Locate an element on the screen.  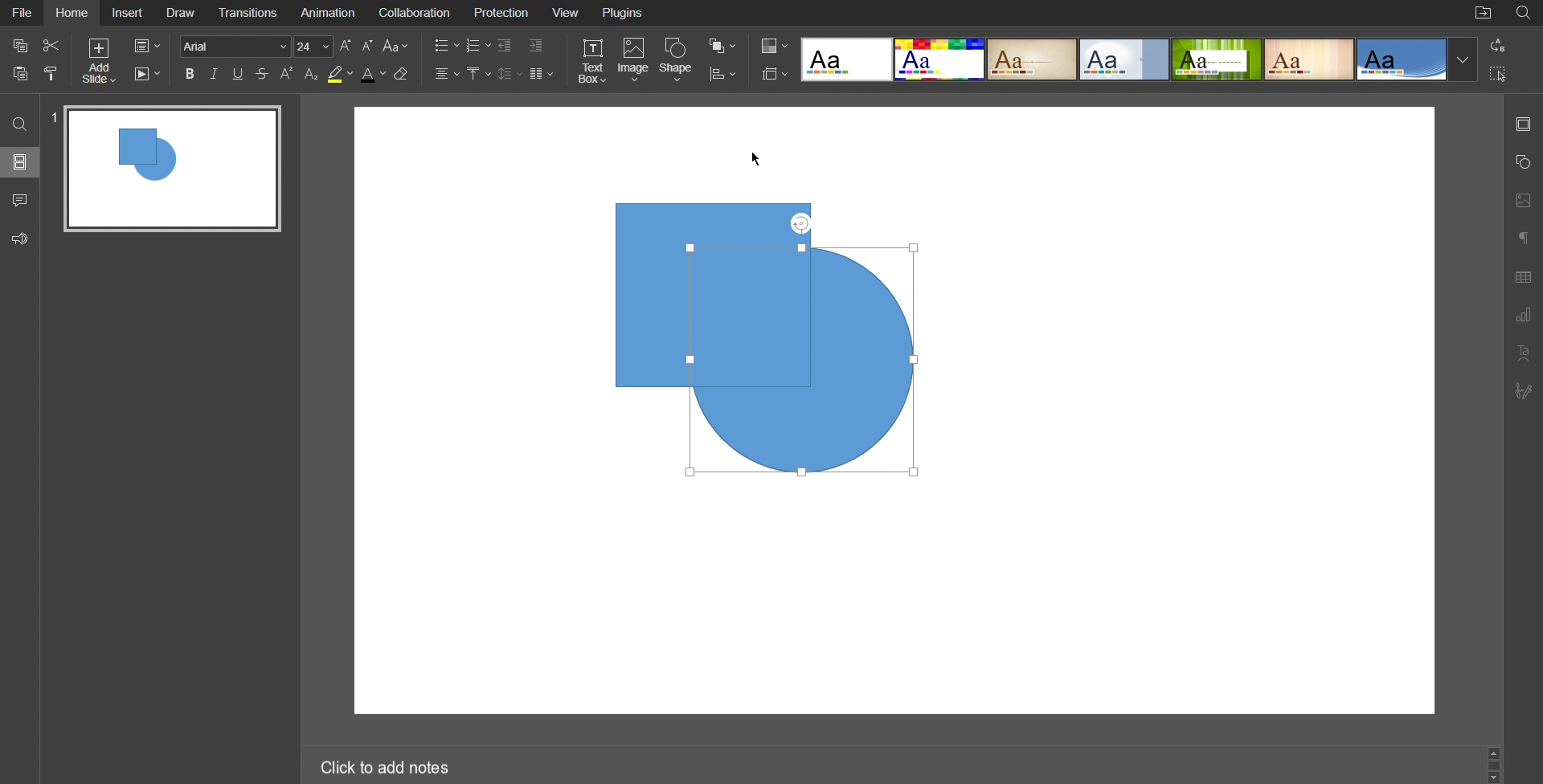
Colors is located at coordinates (776, 45).